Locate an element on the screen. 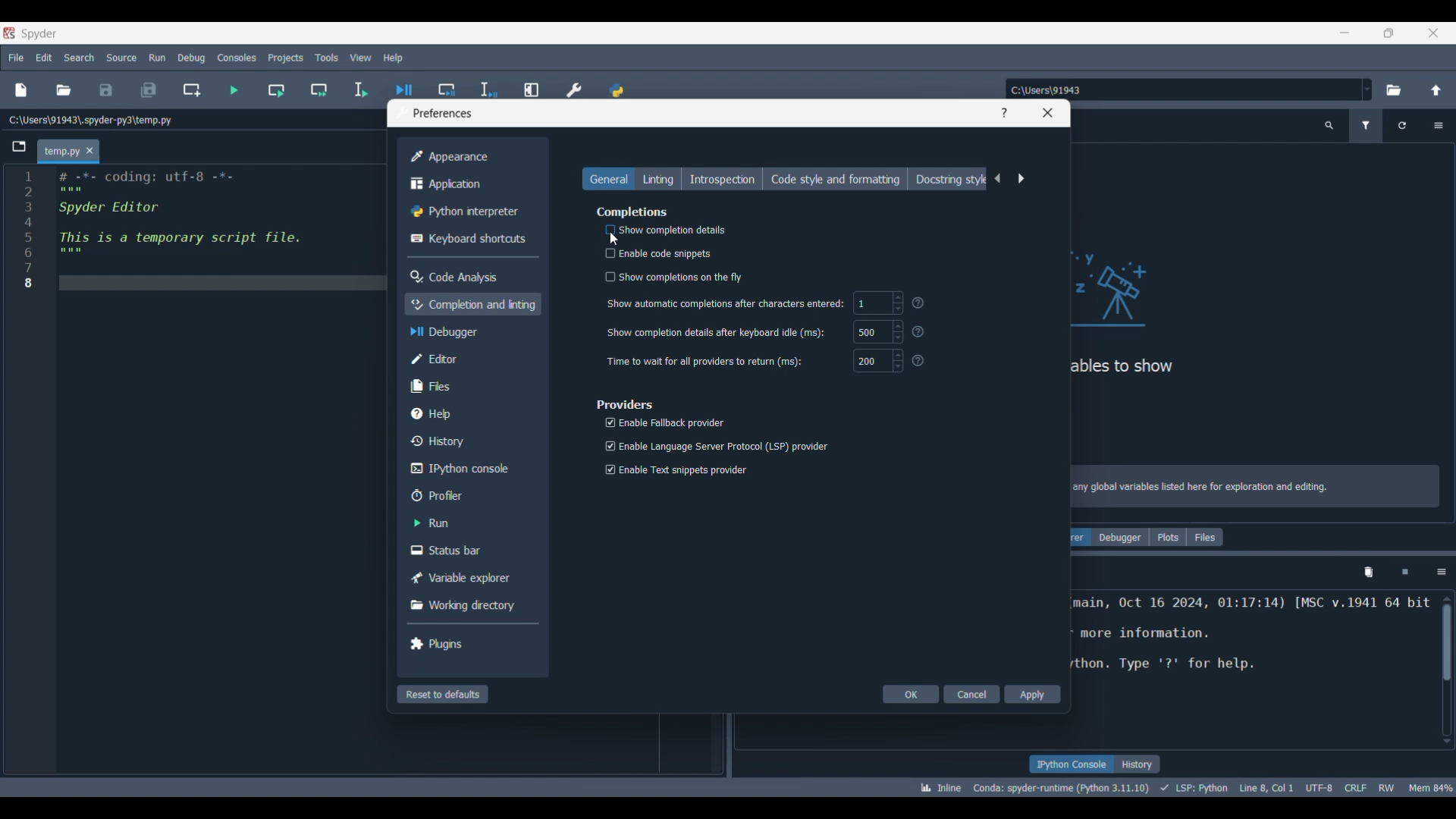 The image size is (1456, 819). Tools menu is located at coordinates (327, 58).